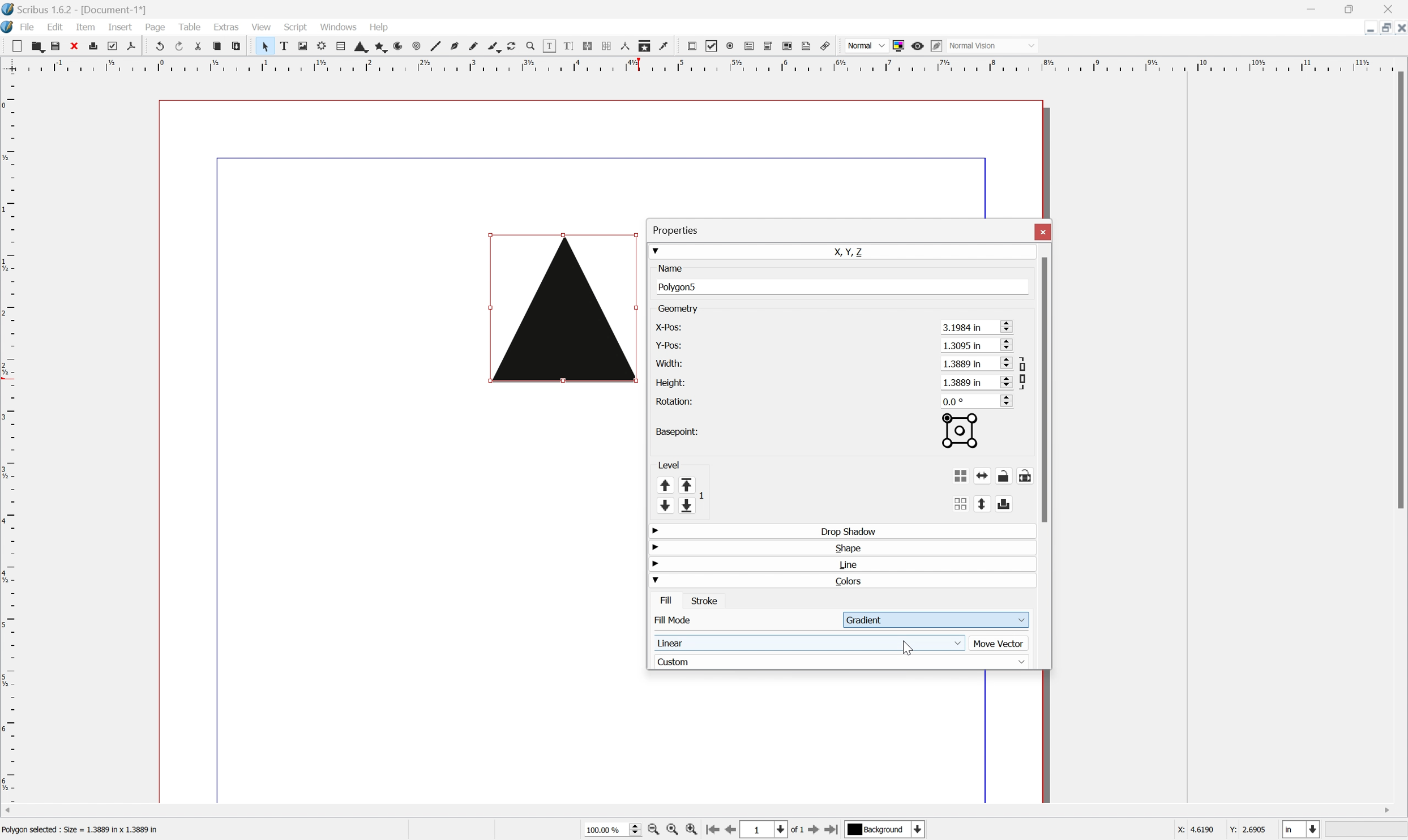 The width and height of the screenshot is (1408, 840). Describe the element at coordinates (675, 619) in the screenshot. I see `Fill Mode` at that location.